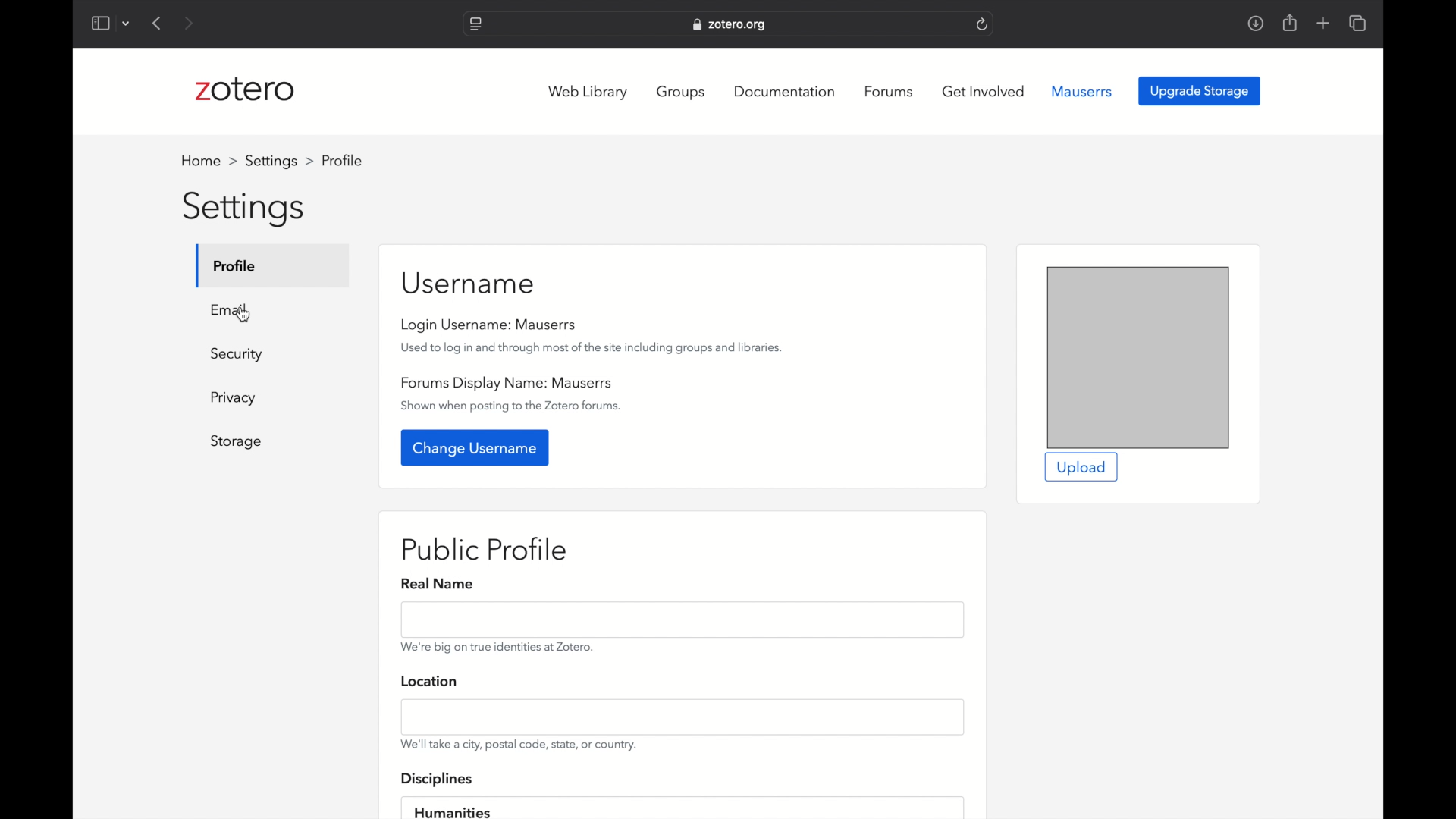  I want to click on get involved, so click(984, 92).